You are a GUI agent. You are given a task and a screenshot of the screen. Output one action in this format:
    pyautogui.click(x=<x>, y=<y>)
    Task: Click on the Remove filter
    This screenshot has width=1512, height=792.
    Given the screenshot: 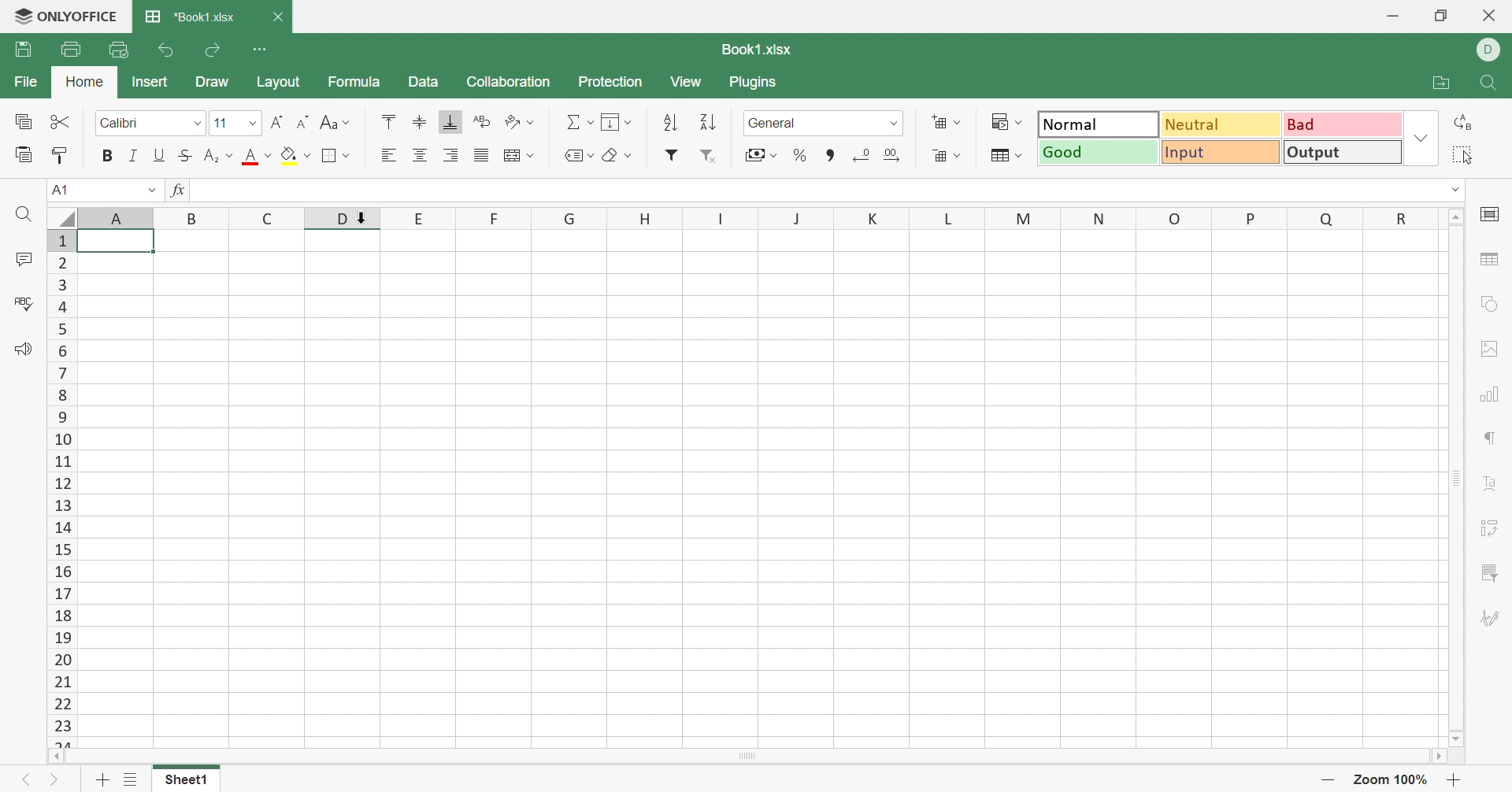 What is the action you would take?
    pyautogui.click(x=709, y=156)
    